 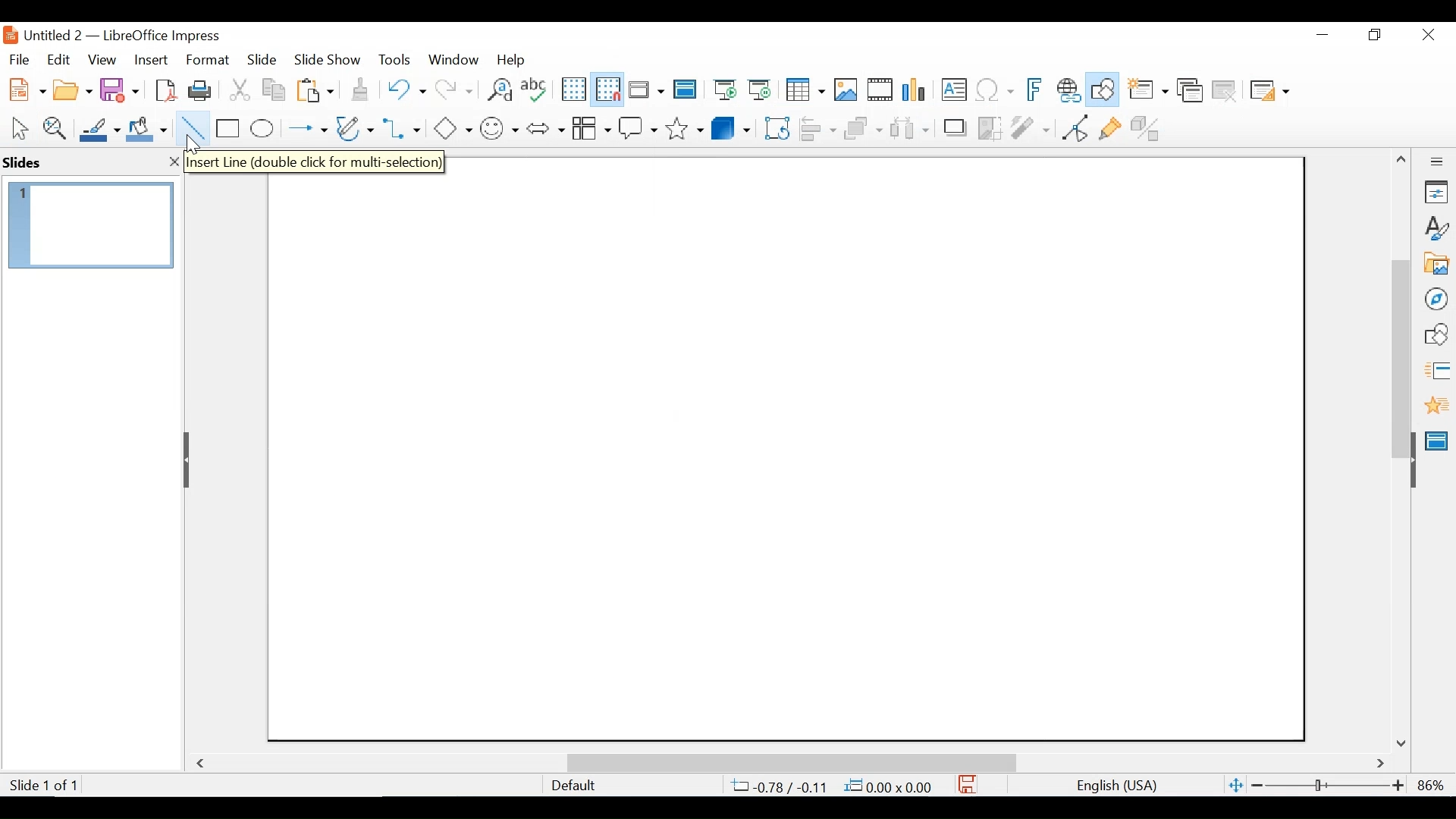 What do you see at coordinates (1326, 784) in the screenshot?
I see `Zoom Slider` at bounding box center [1326, 784].